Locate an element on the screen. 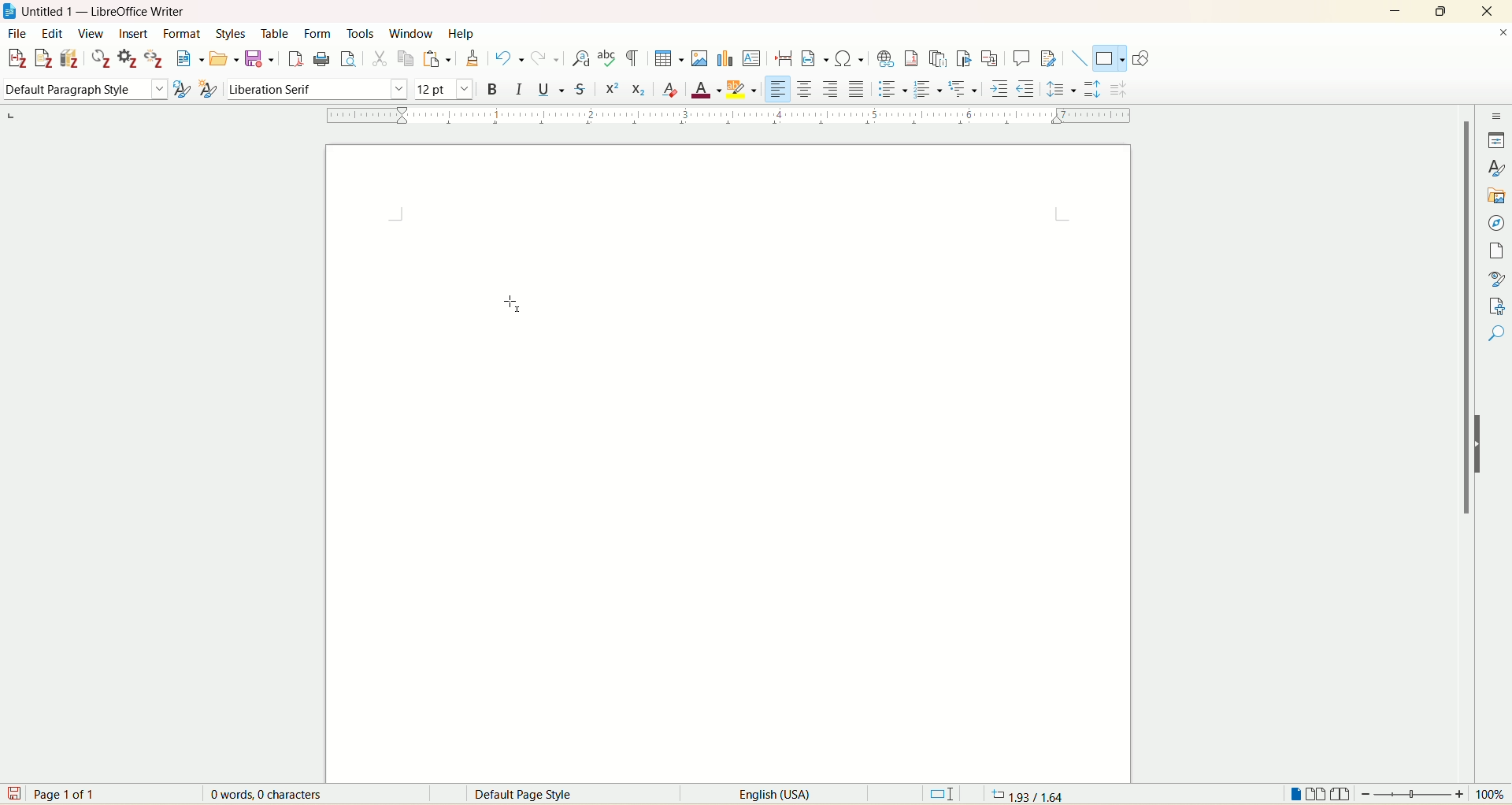 The height and width of the screenshot is (805, 1512). subscript is located at coordinates (639, 89).